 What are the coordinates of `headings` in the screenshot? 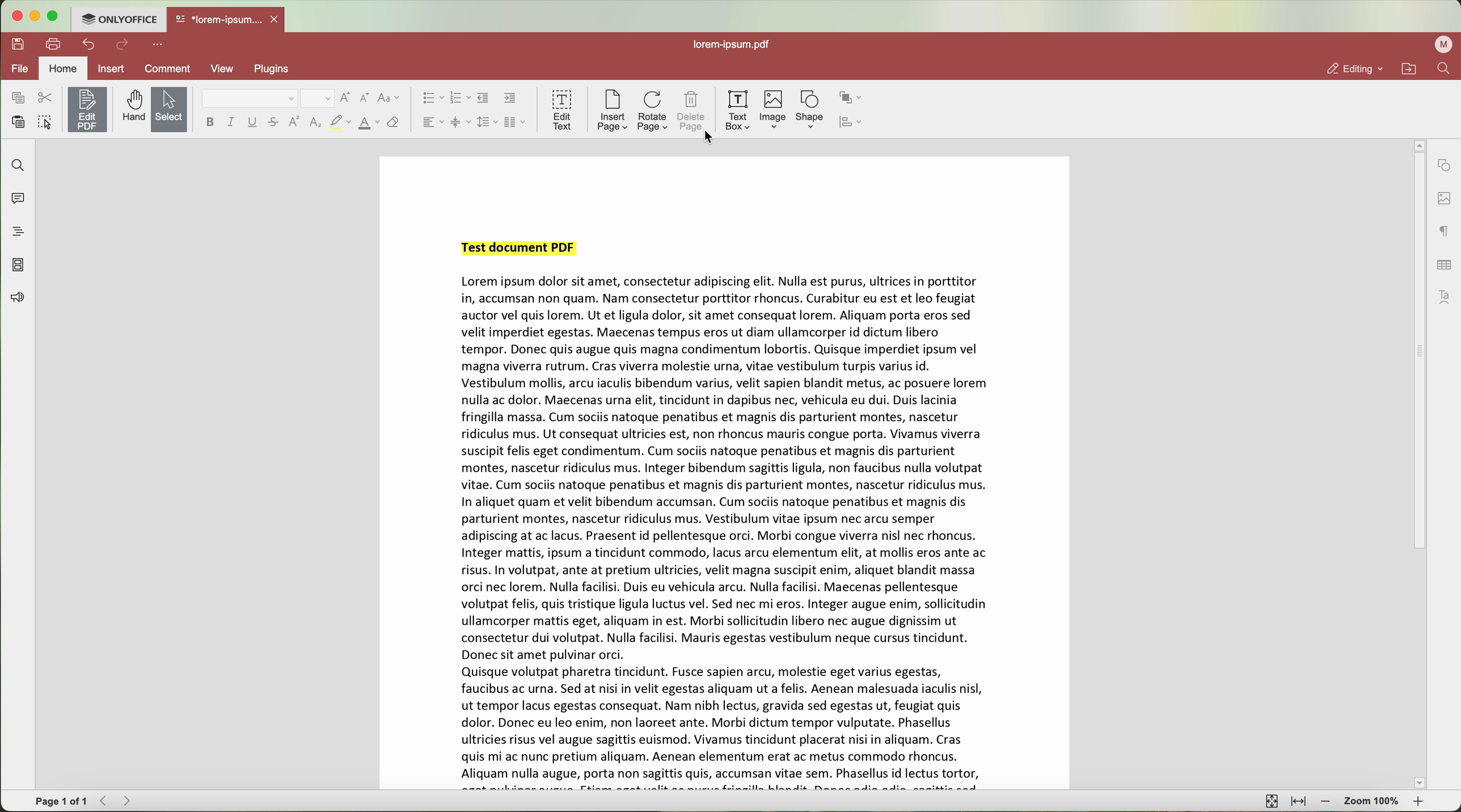 It's located at (19, 232).